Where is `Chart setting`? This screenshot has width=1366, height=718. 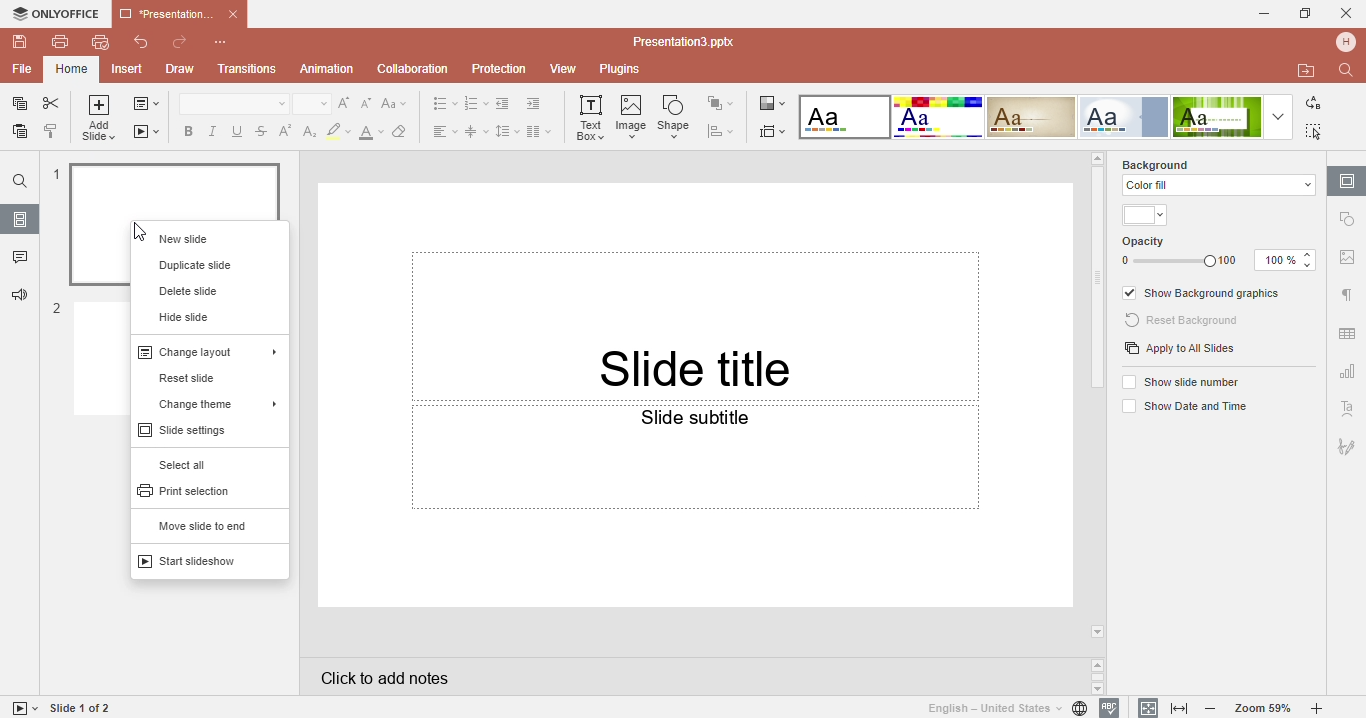 Chart setting is located at coordinates (1346, 374).